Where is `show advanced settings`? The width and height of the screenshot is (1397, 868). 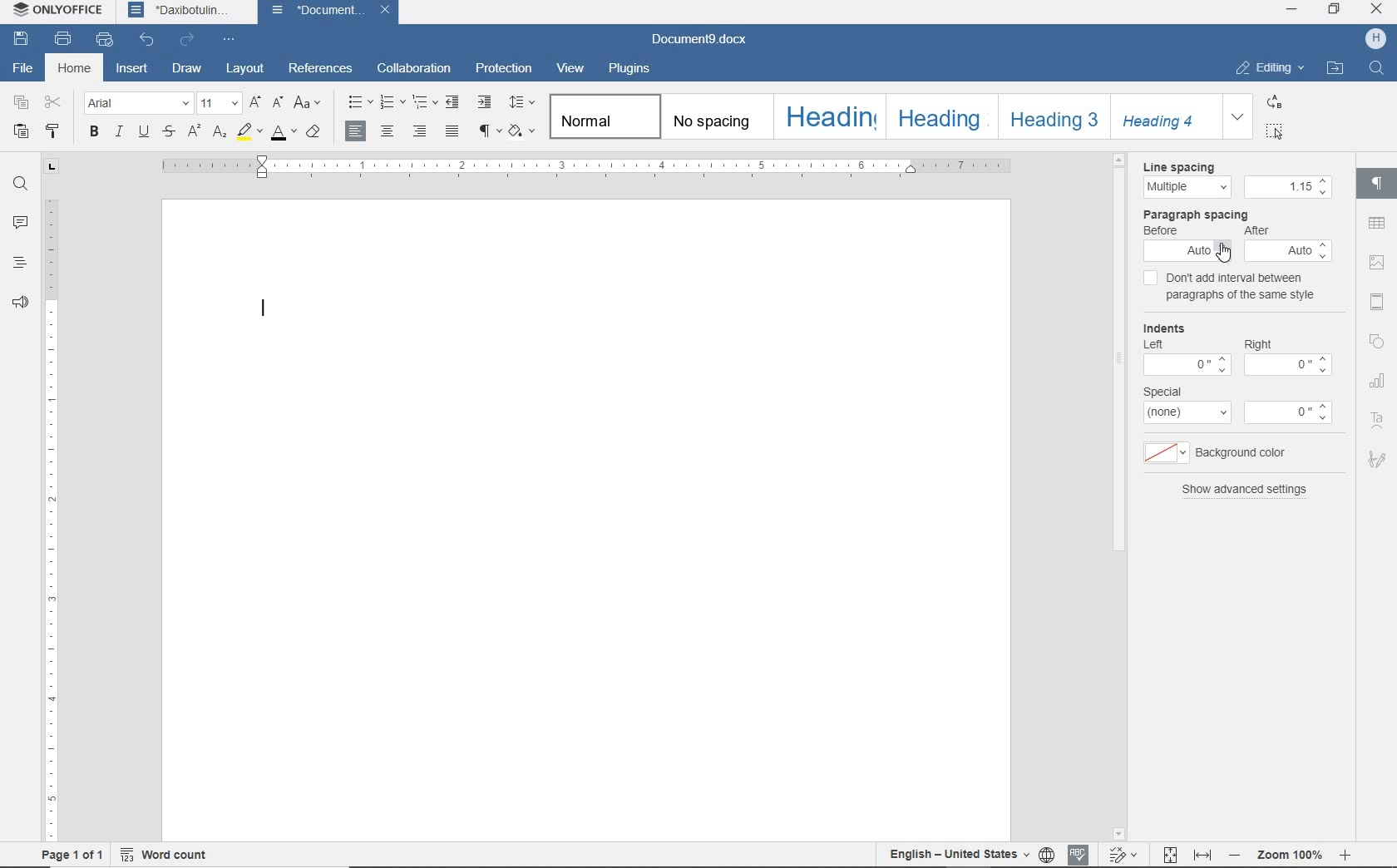
show advanced settings is located at coordinates (1246, 490).